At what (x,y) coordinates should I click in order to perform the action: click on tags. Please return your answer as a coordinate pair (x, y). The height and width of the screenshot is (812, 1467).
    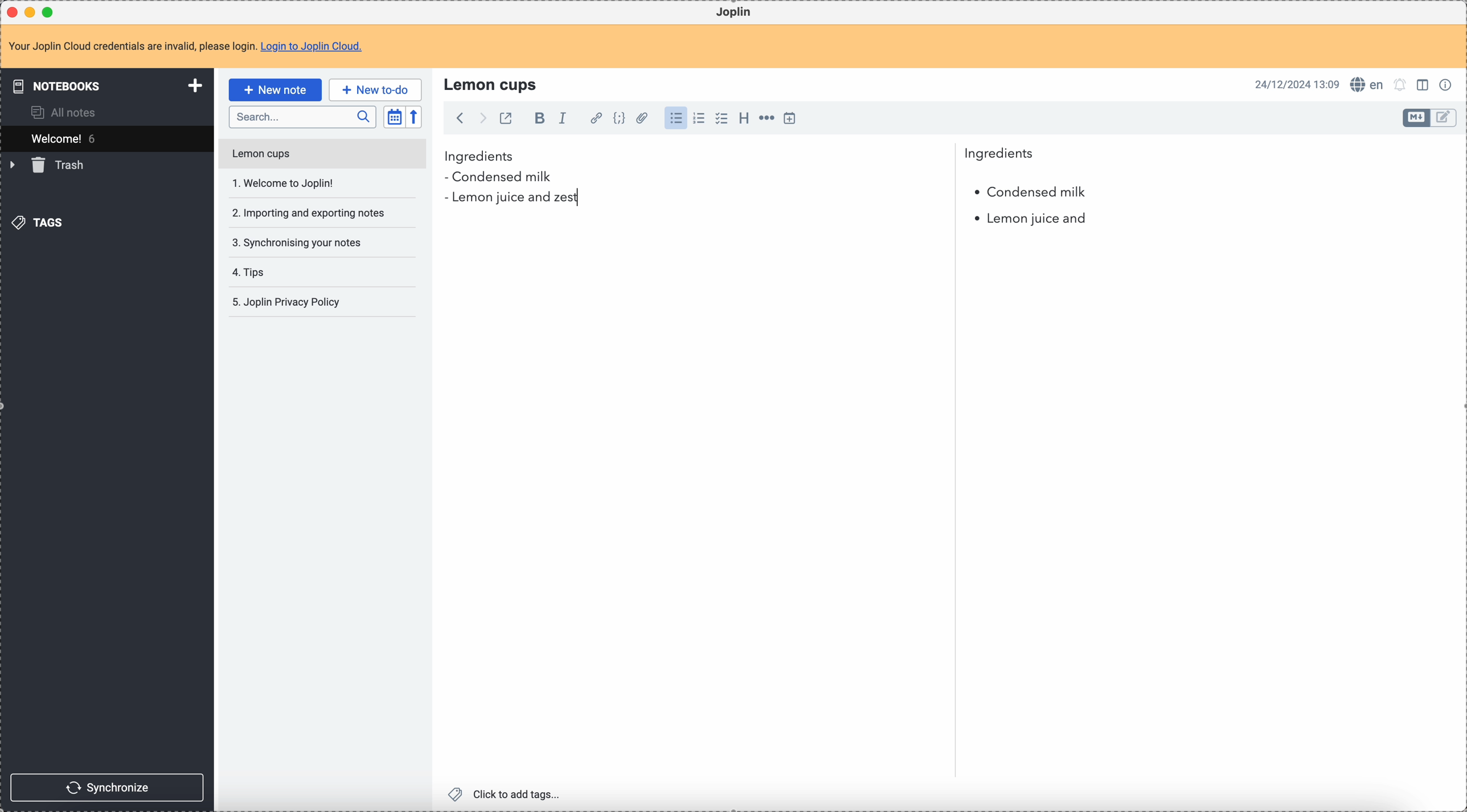
    Looking at the image, I should click on (40, 222).